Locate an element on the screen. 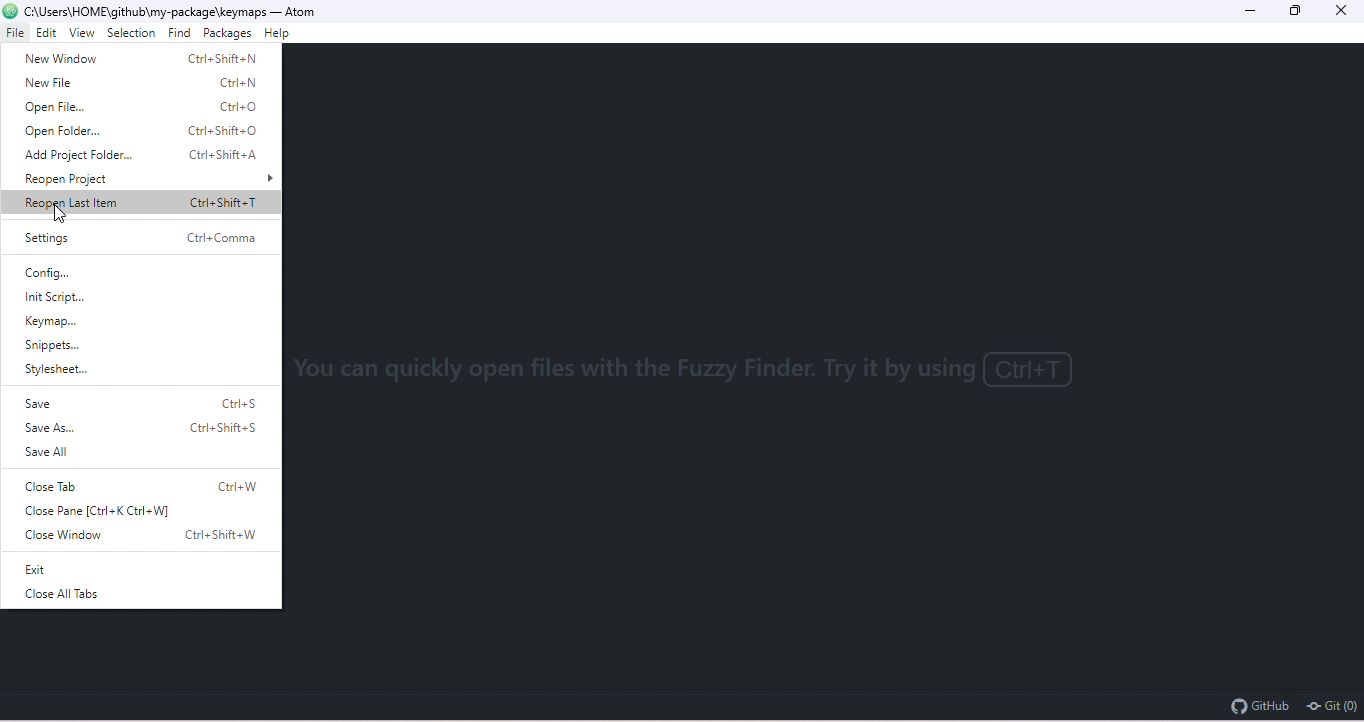 This screenshot has width=1364, height=722. maximize is located at coordinates (1300, 12).